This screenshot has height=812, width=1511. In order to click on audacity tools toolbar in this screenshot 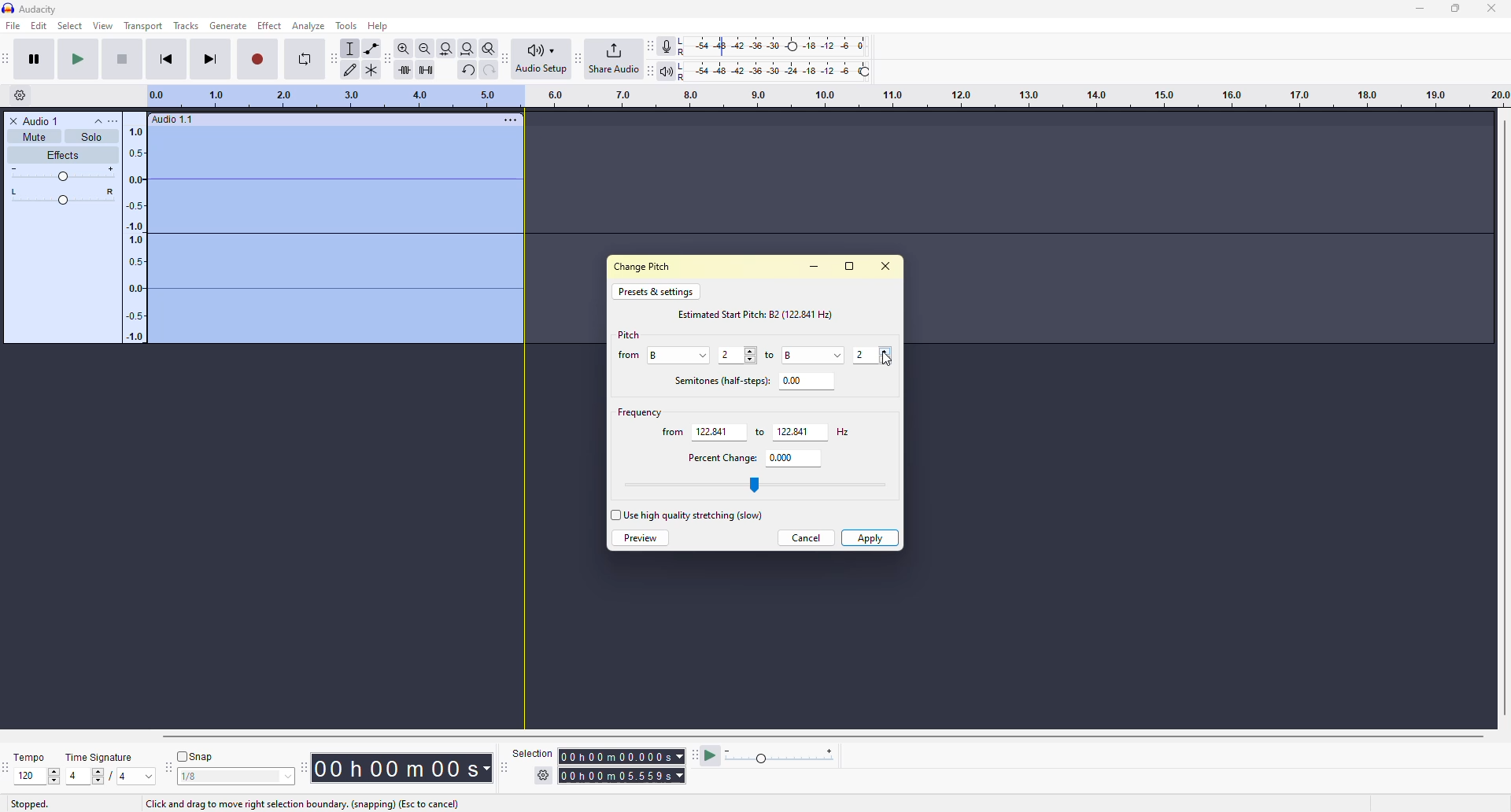, I will do `click(334, 57)`.